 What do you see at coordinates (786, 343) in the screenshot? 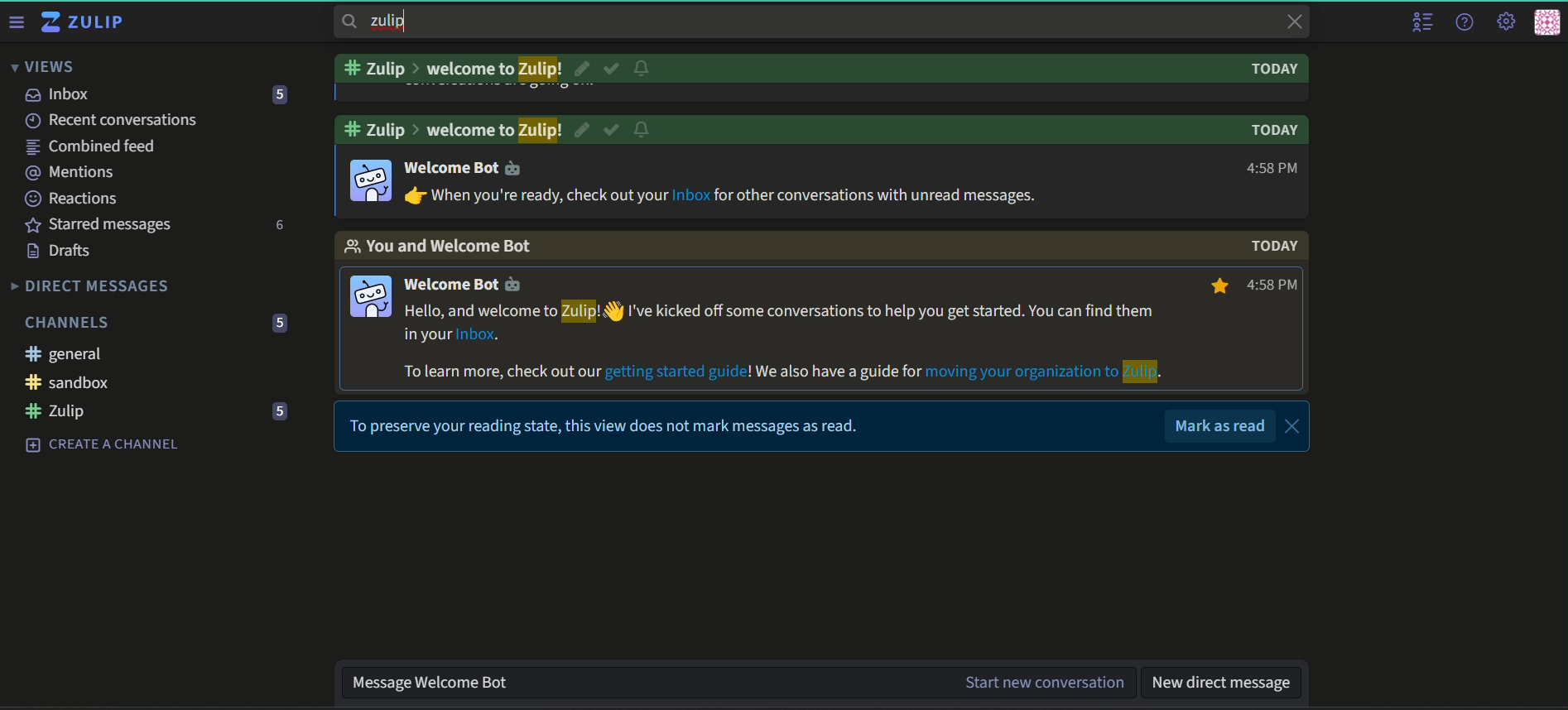
I see `text` at bounding box center [786, 343].